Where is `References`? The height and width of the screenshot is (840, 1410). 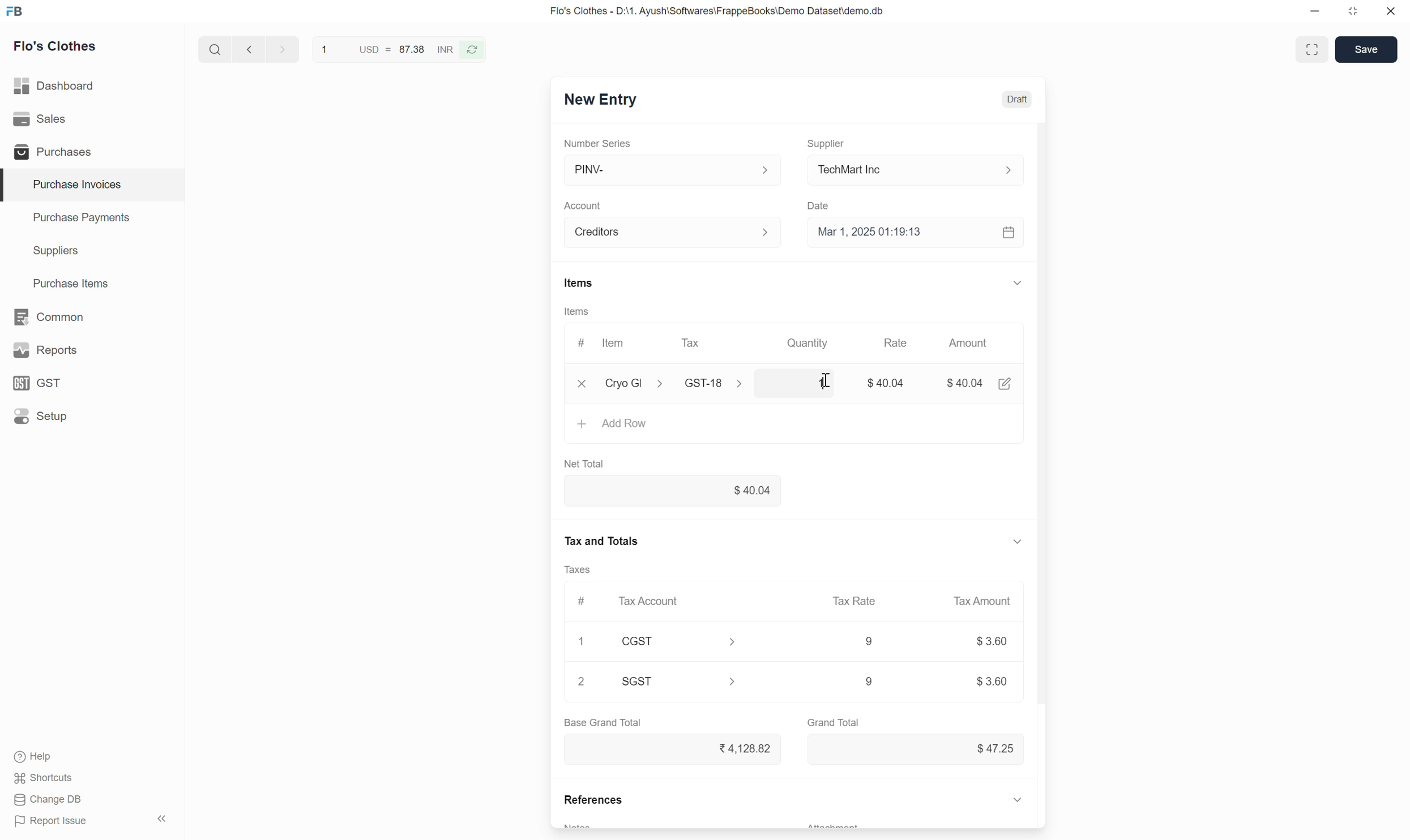 References is located at coordinates (591, 802).